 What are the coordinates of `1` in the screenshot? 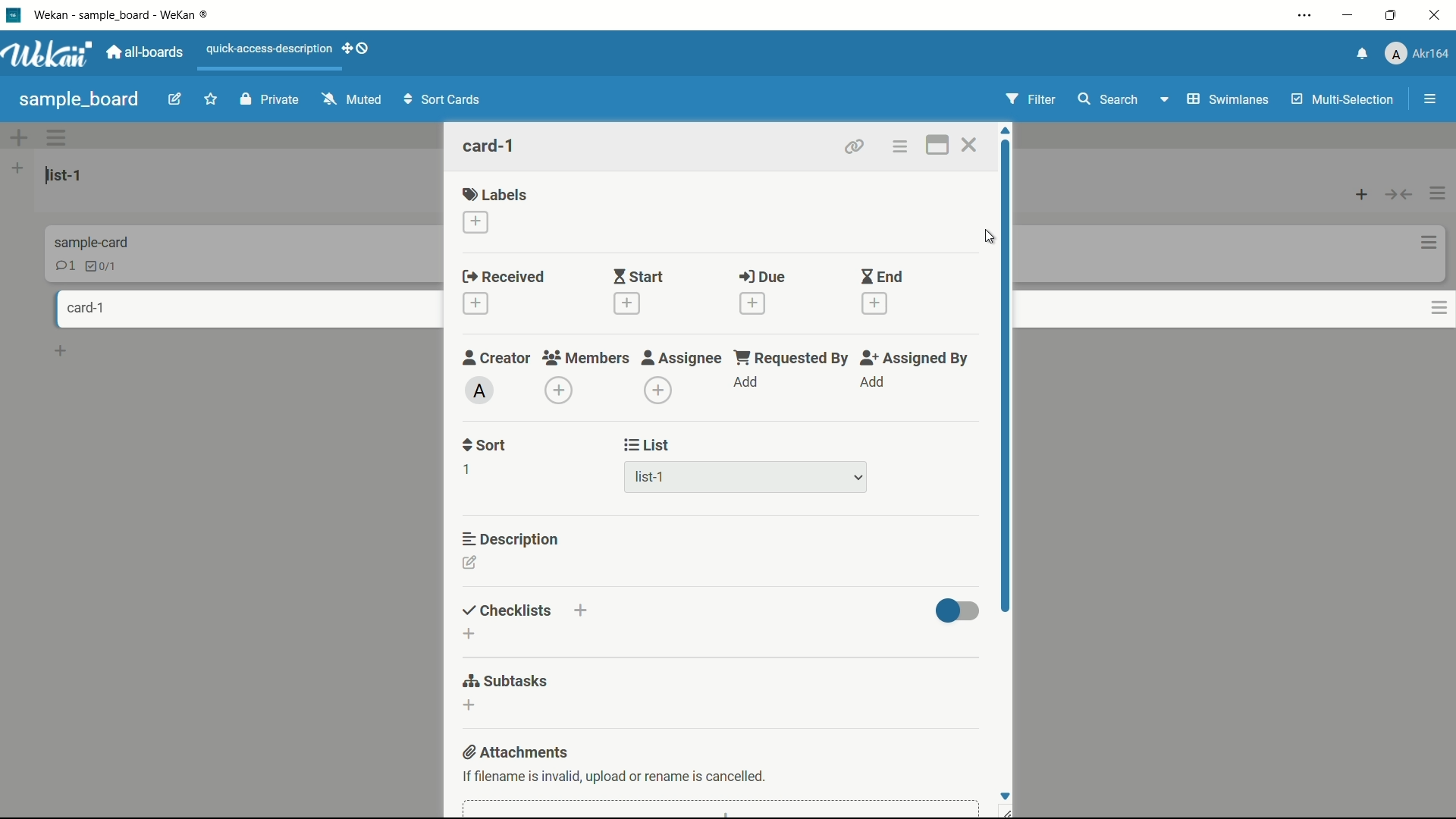 It's located at (469, 480).